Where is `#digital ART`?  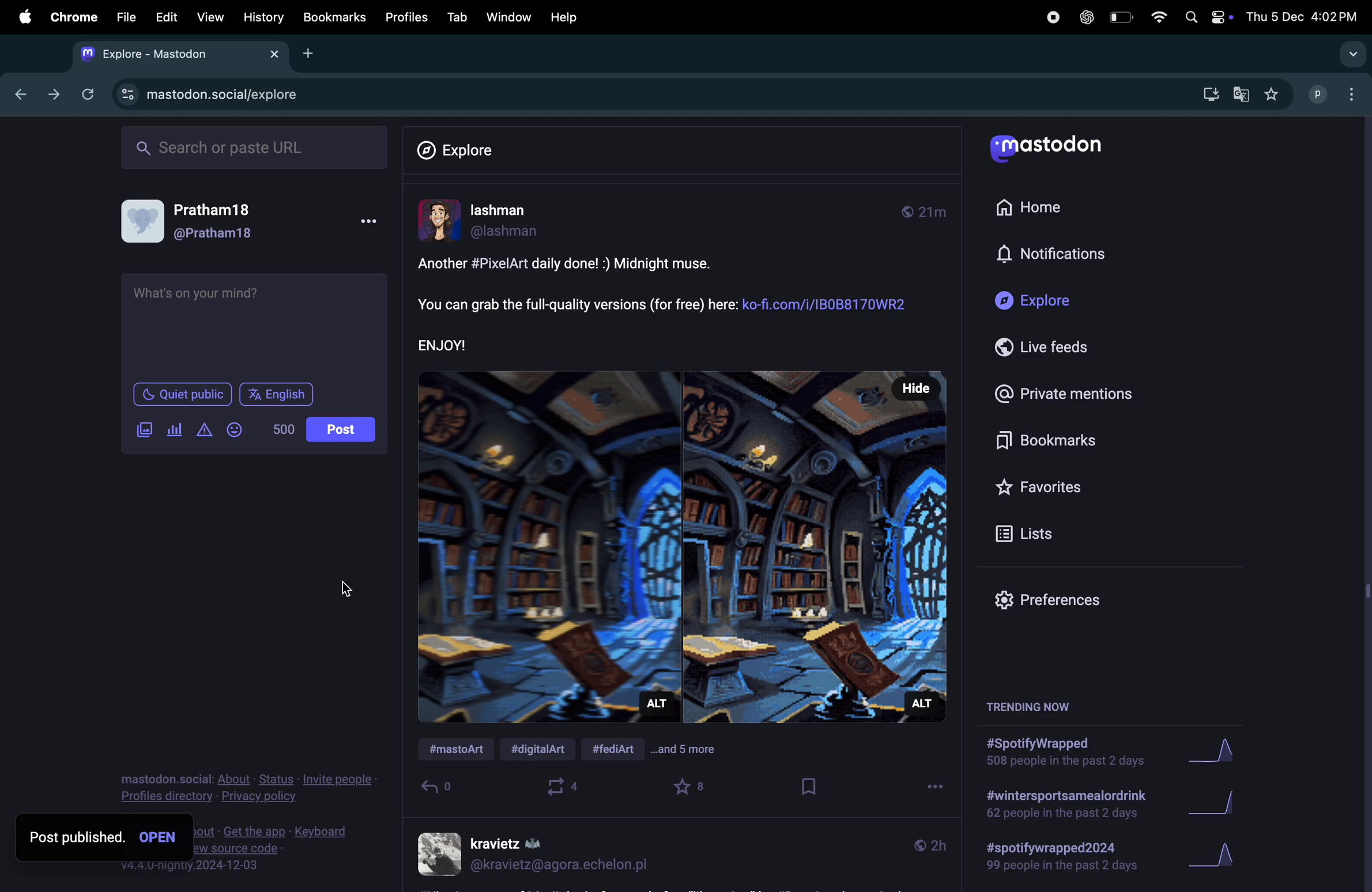 #digital ART is located at coordinates (545, 751).